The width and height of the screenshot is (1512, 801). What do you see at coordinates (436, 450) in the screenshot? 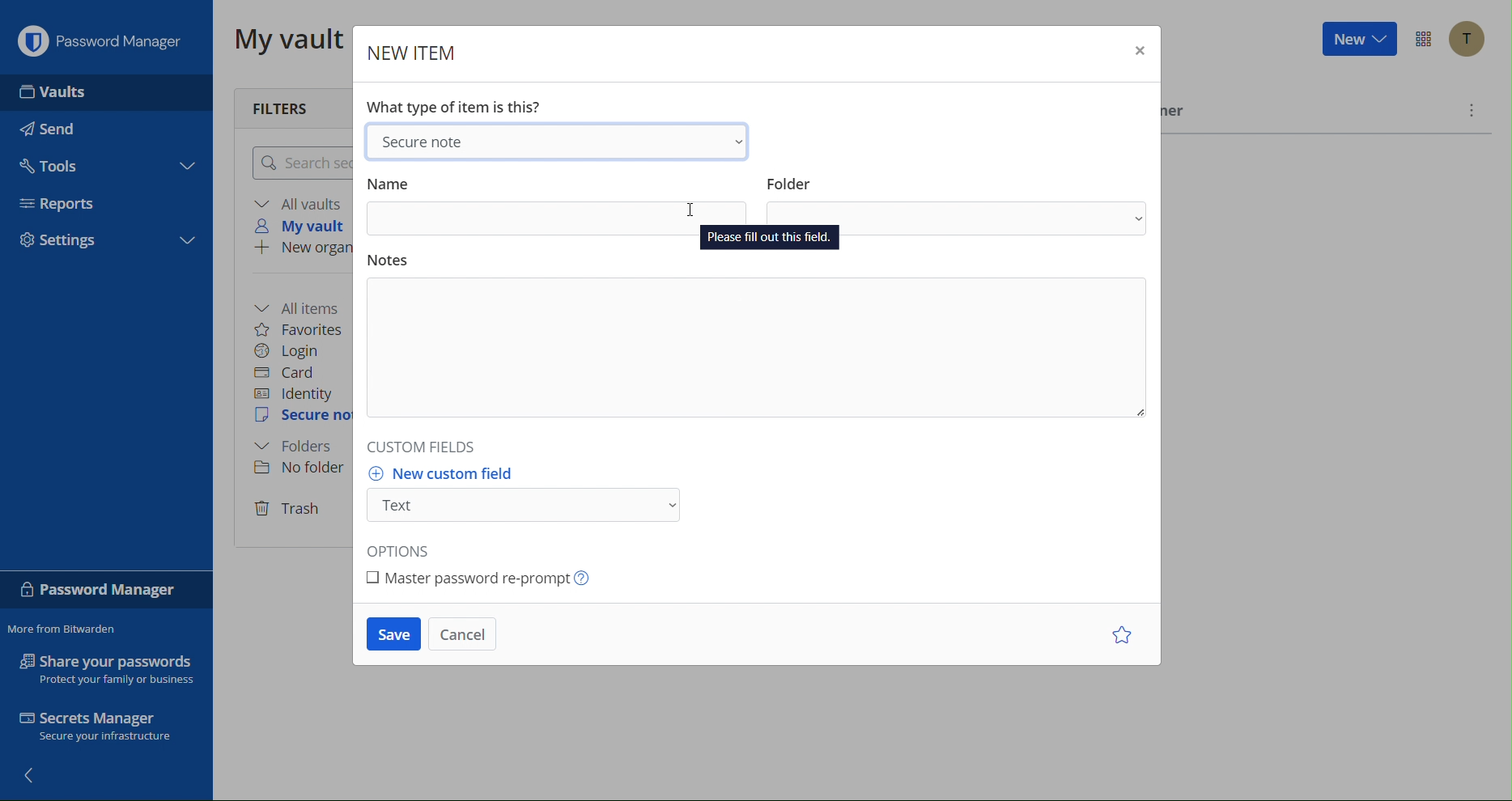
I see `Custom Fields` at bounding box center [436, 450].